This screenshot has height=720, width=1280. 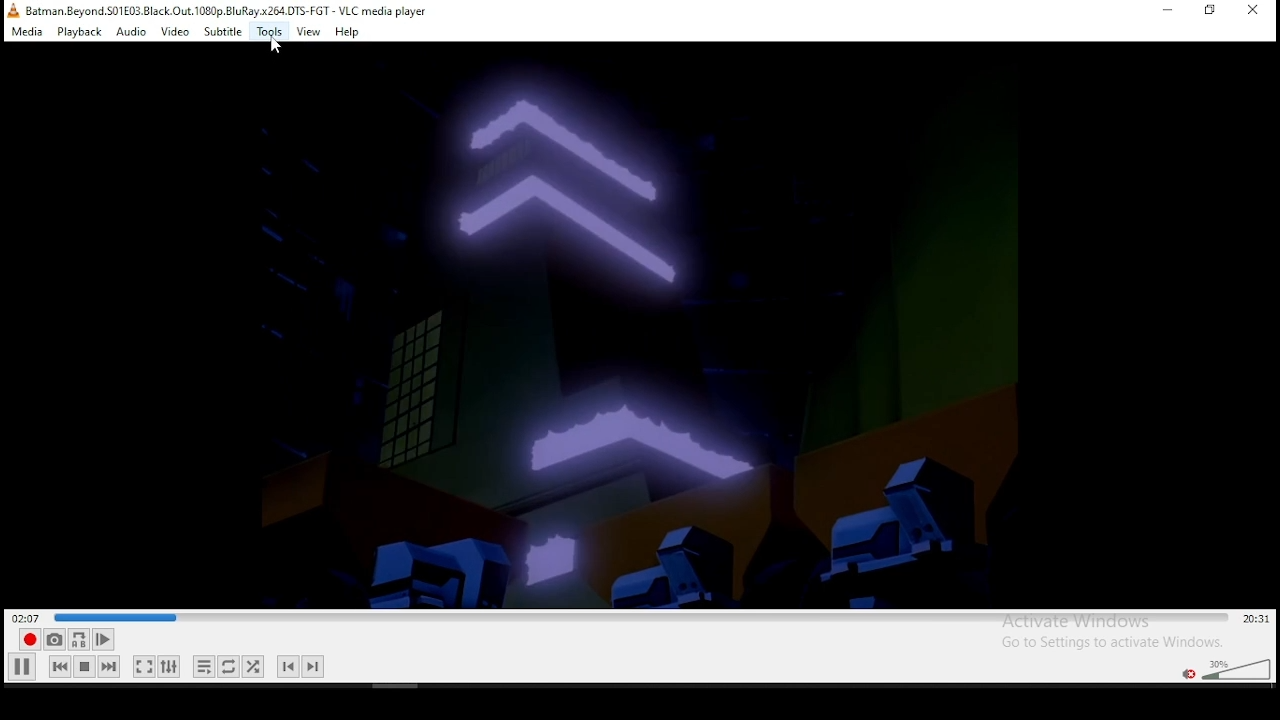 I want to click on close window, so click(x=1255, y=12).